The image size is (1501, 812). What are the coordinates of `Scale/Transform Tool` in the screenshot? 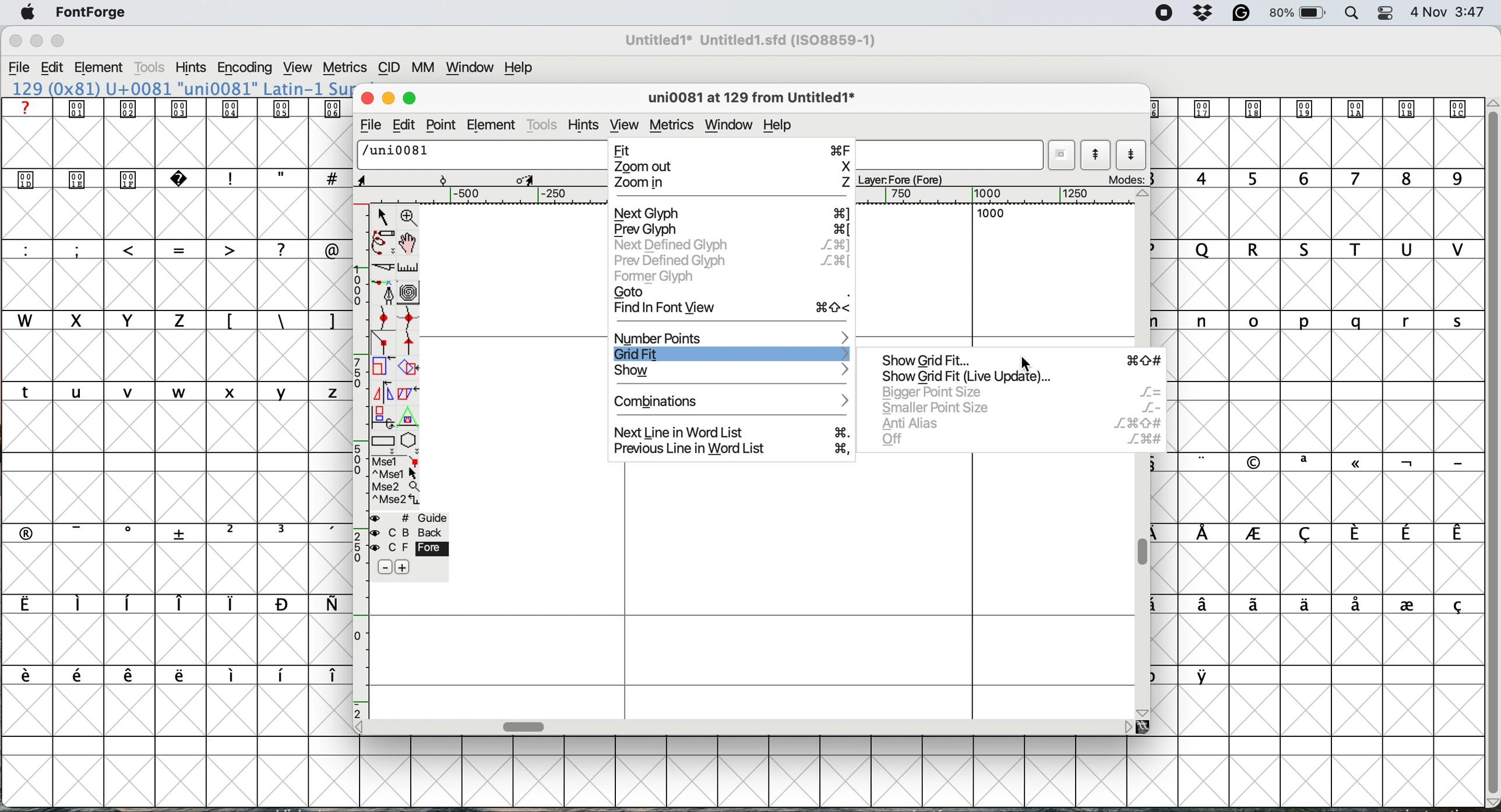 It's located at (526, 180).